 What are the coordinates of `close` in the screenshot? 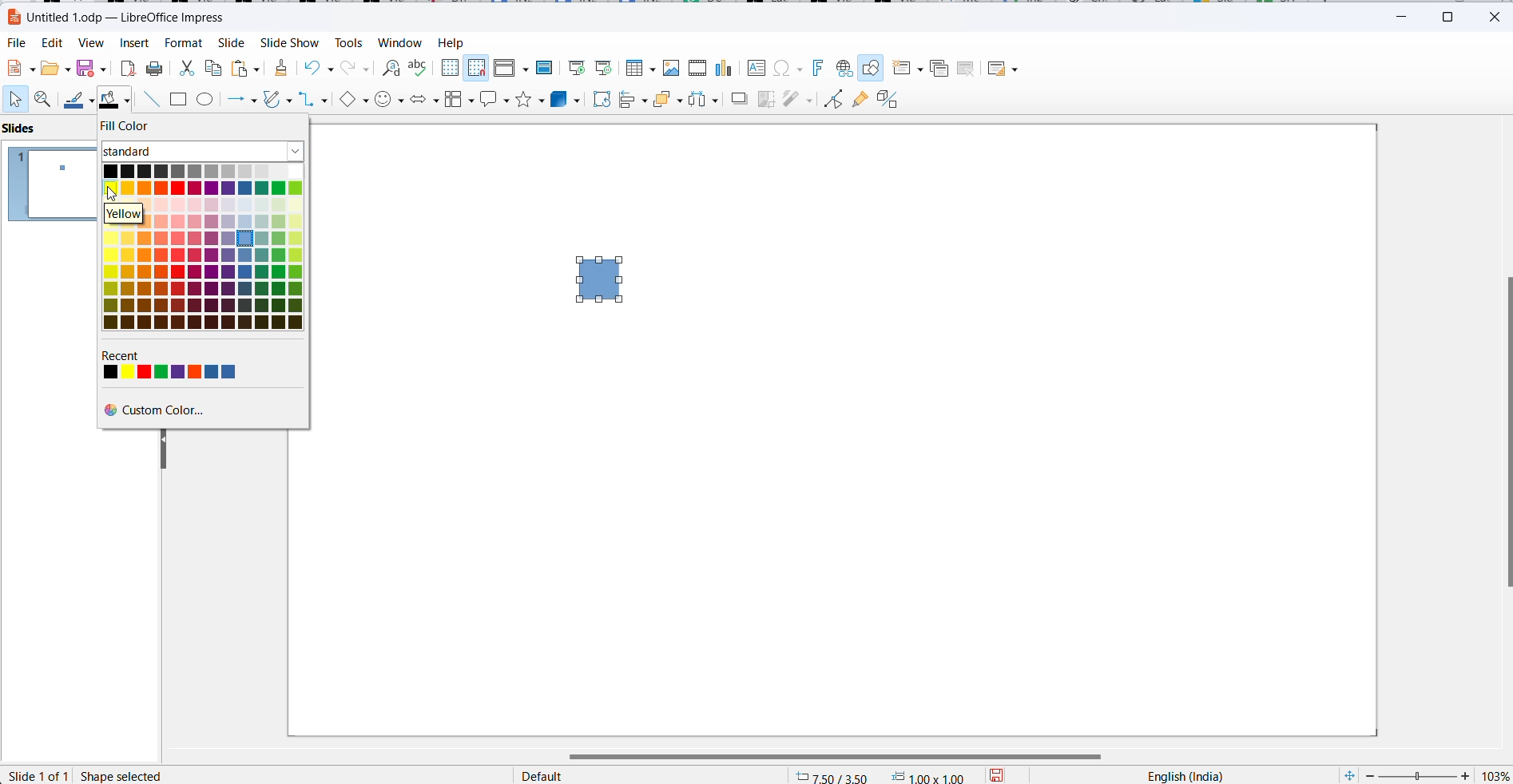 It's located at (1495, 16).